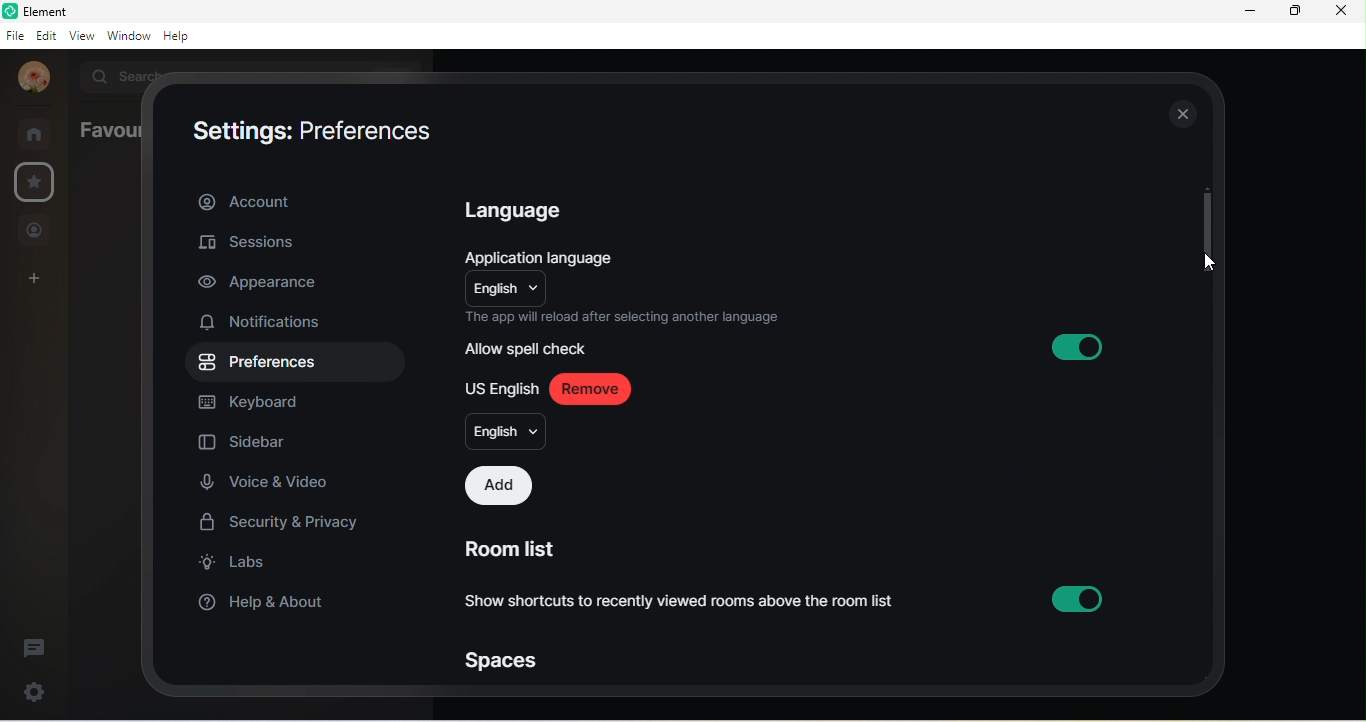 This screenshot has height=722, width=1366. Describe the element at coordinates (263, 284) in the screenshot. I see `appearance` at that location.